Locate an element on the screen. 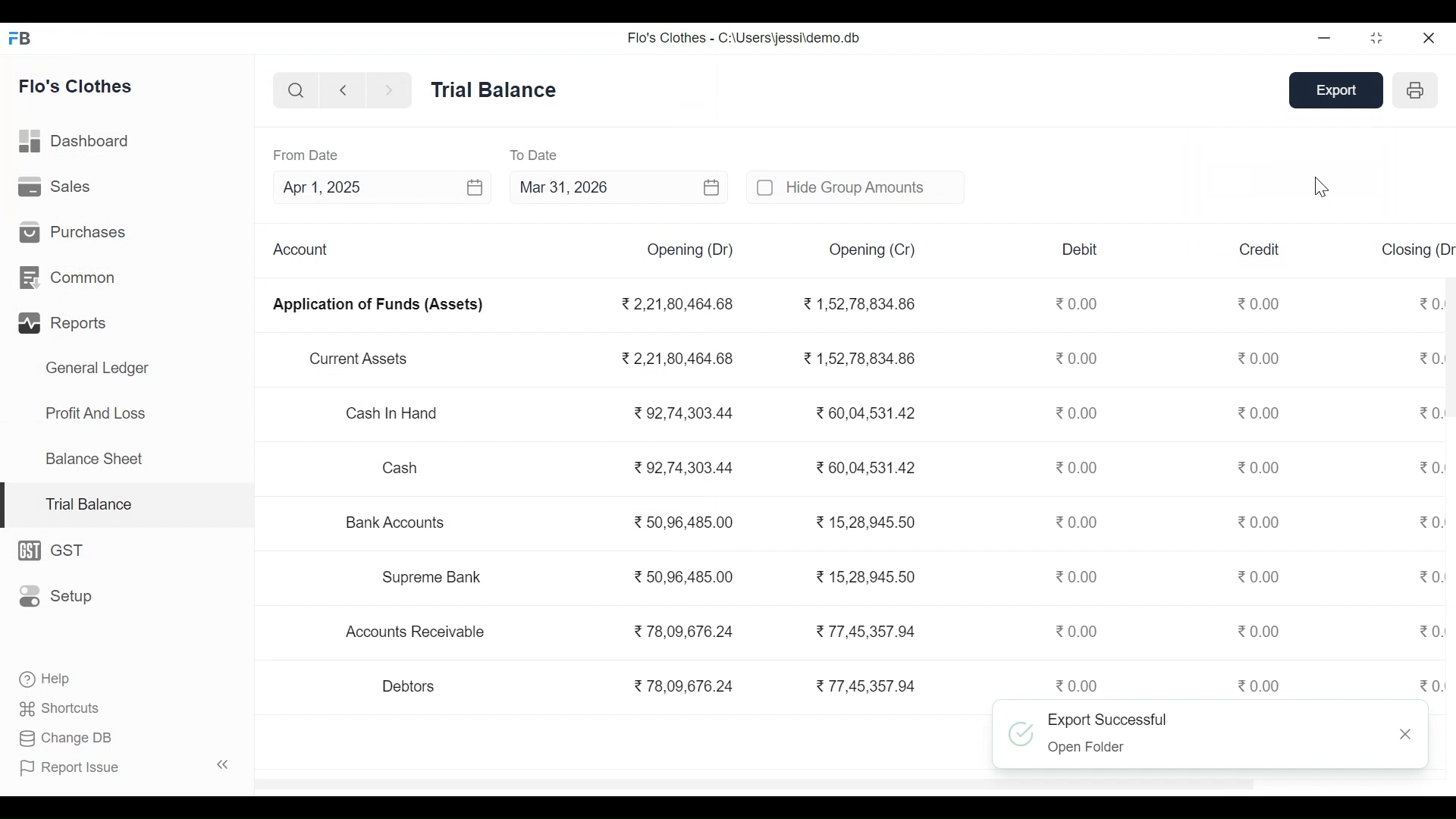 This screenshot has height=819, width=1456. 78,09,676.24 is located at coordinates (682, 629).